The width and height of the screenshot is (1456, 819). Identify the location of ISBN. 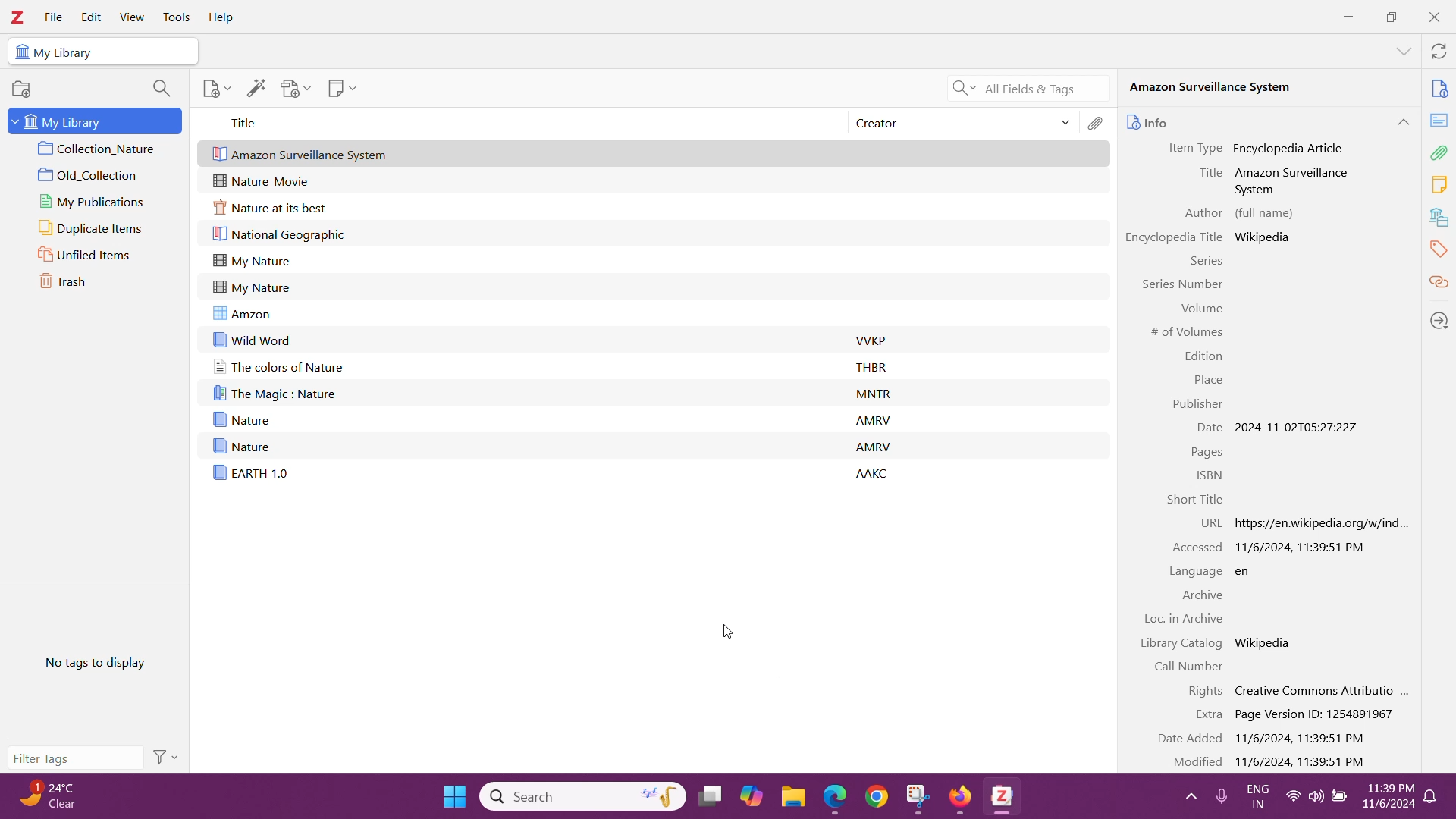
(1203, 476).